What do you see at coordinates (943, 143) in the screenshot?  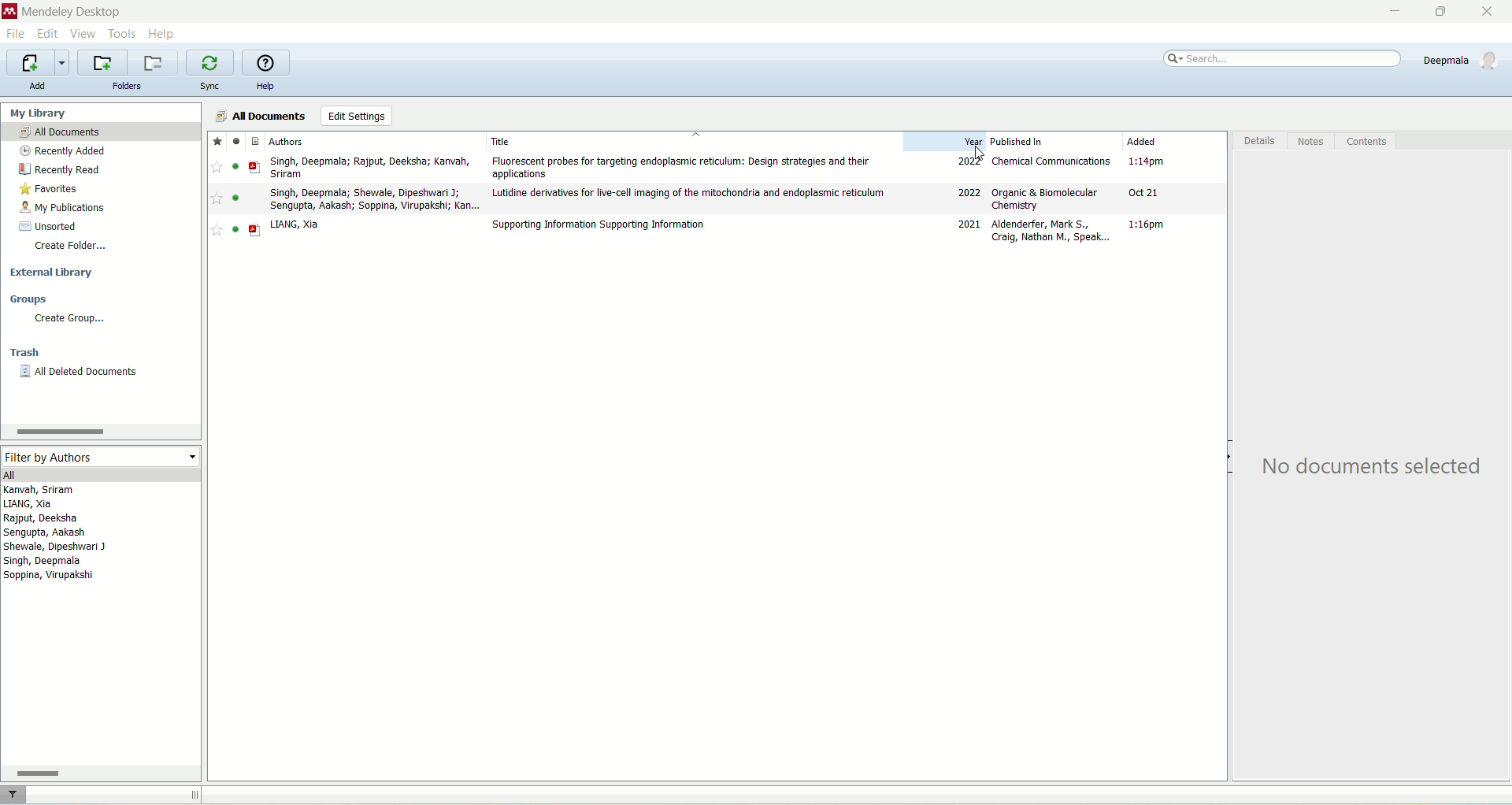 I see `year` at bounding box center [943, 143].